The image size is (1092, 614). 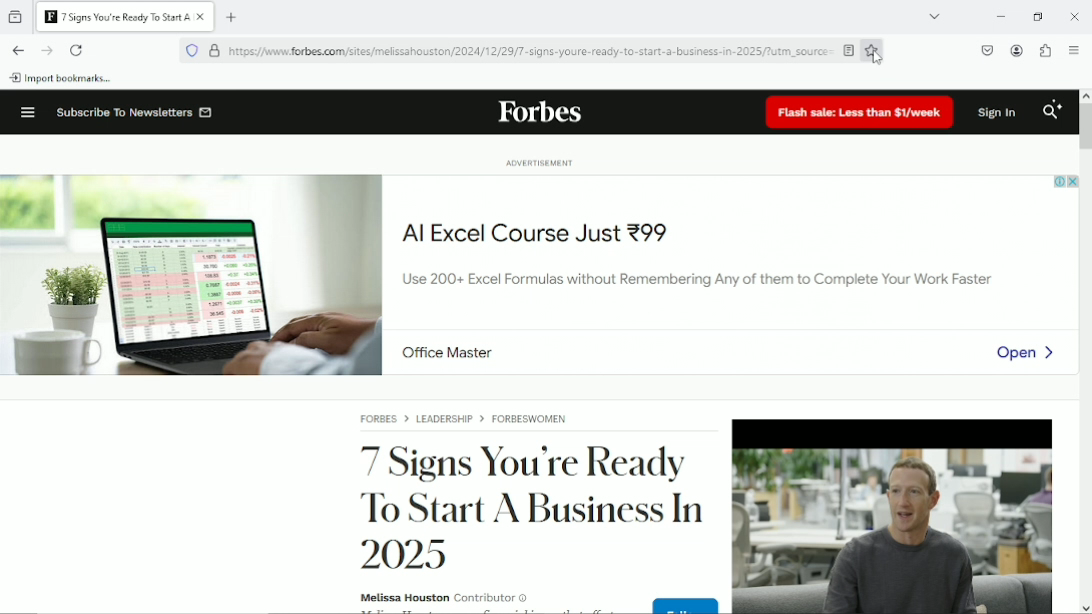 What do you see at coordinates (987, 49) in the screenshot?
I see `Save to pocket` at bounding box center [987, 49].